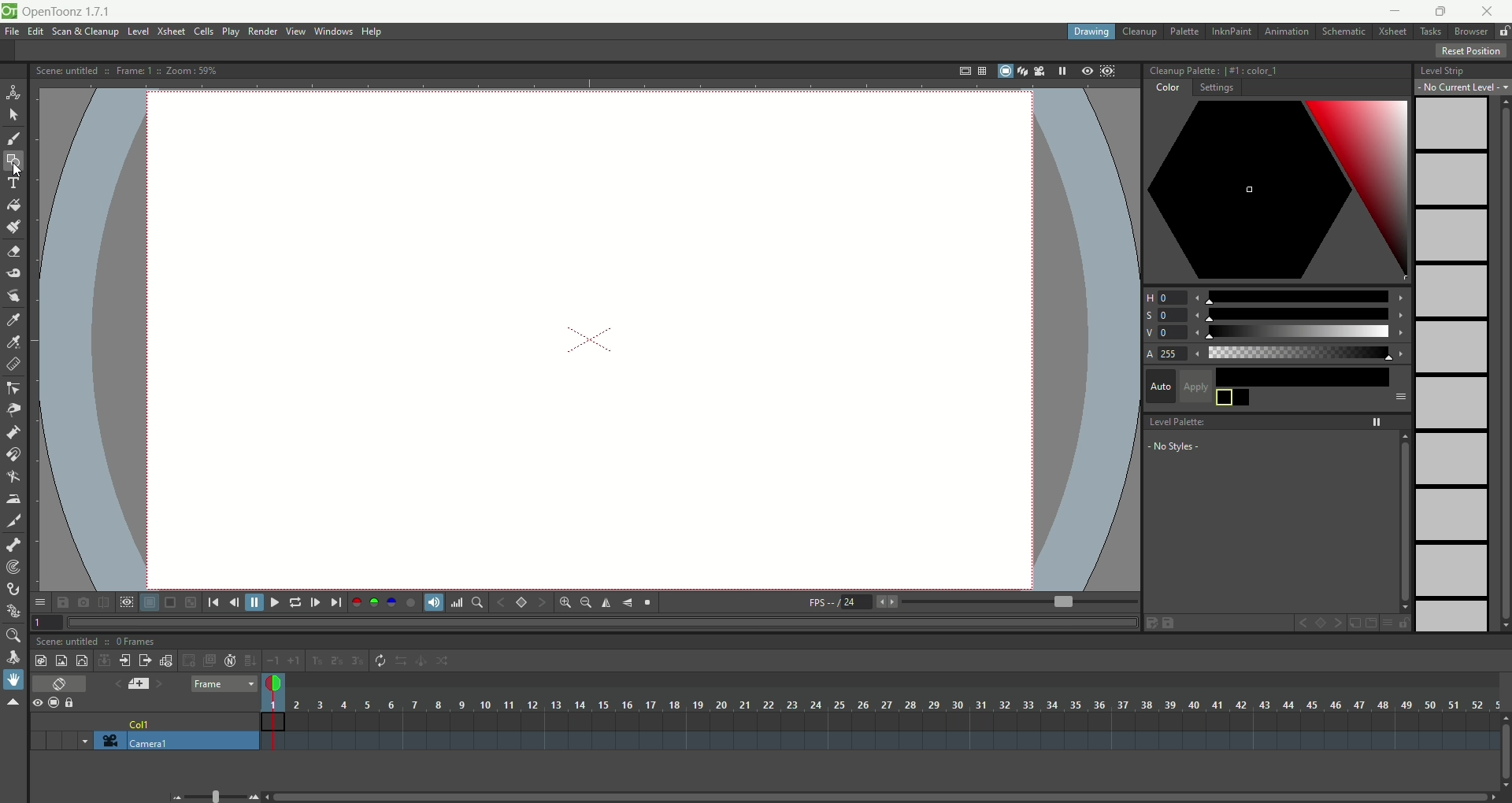 This screenshot has width=1512, height=803. What do you see at coordinates (1339, 624) in the screenshot?
I see `next key` at bounding box center [1339, 624].